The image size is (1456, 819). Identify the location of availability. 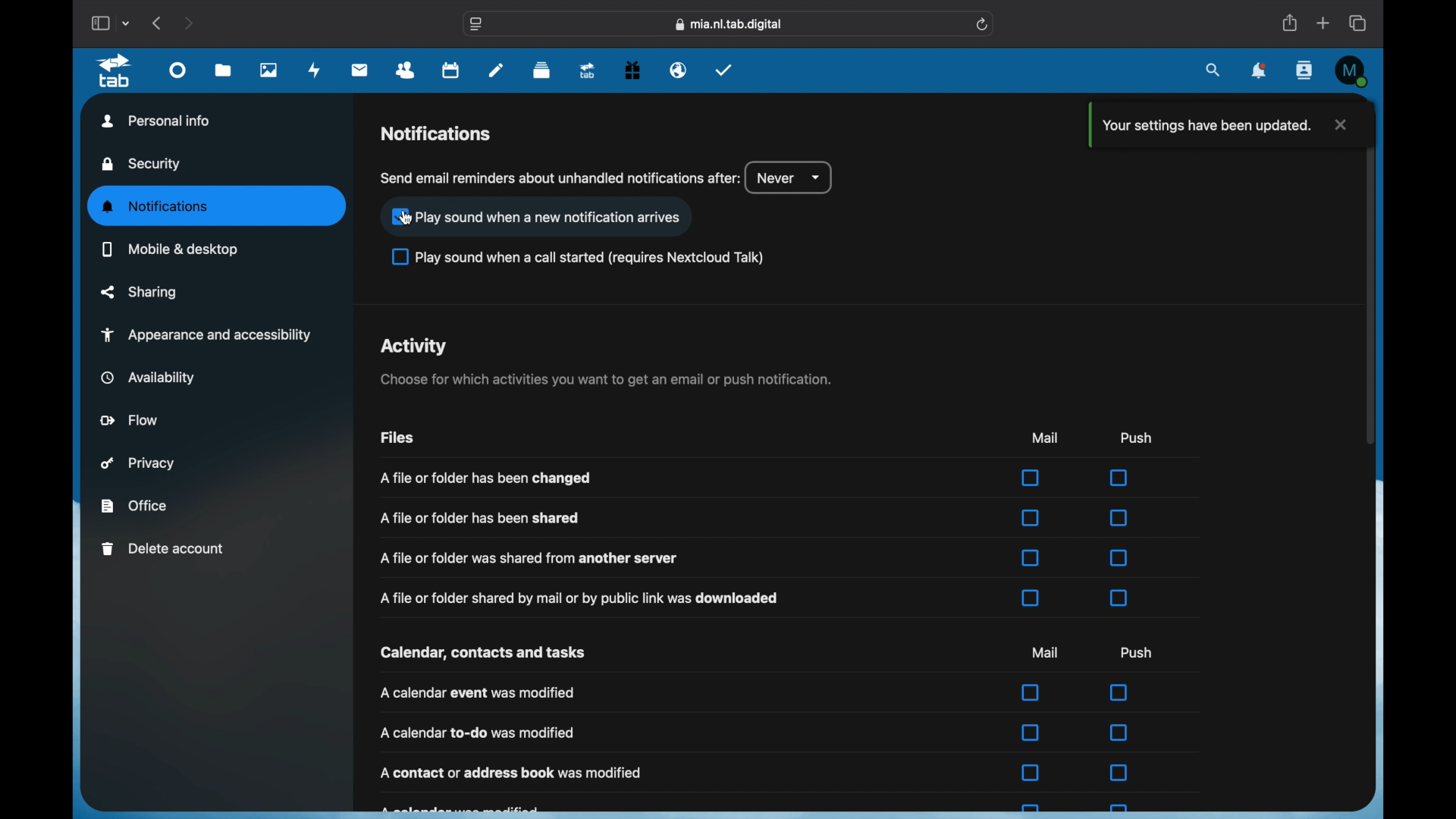
(147, 378).